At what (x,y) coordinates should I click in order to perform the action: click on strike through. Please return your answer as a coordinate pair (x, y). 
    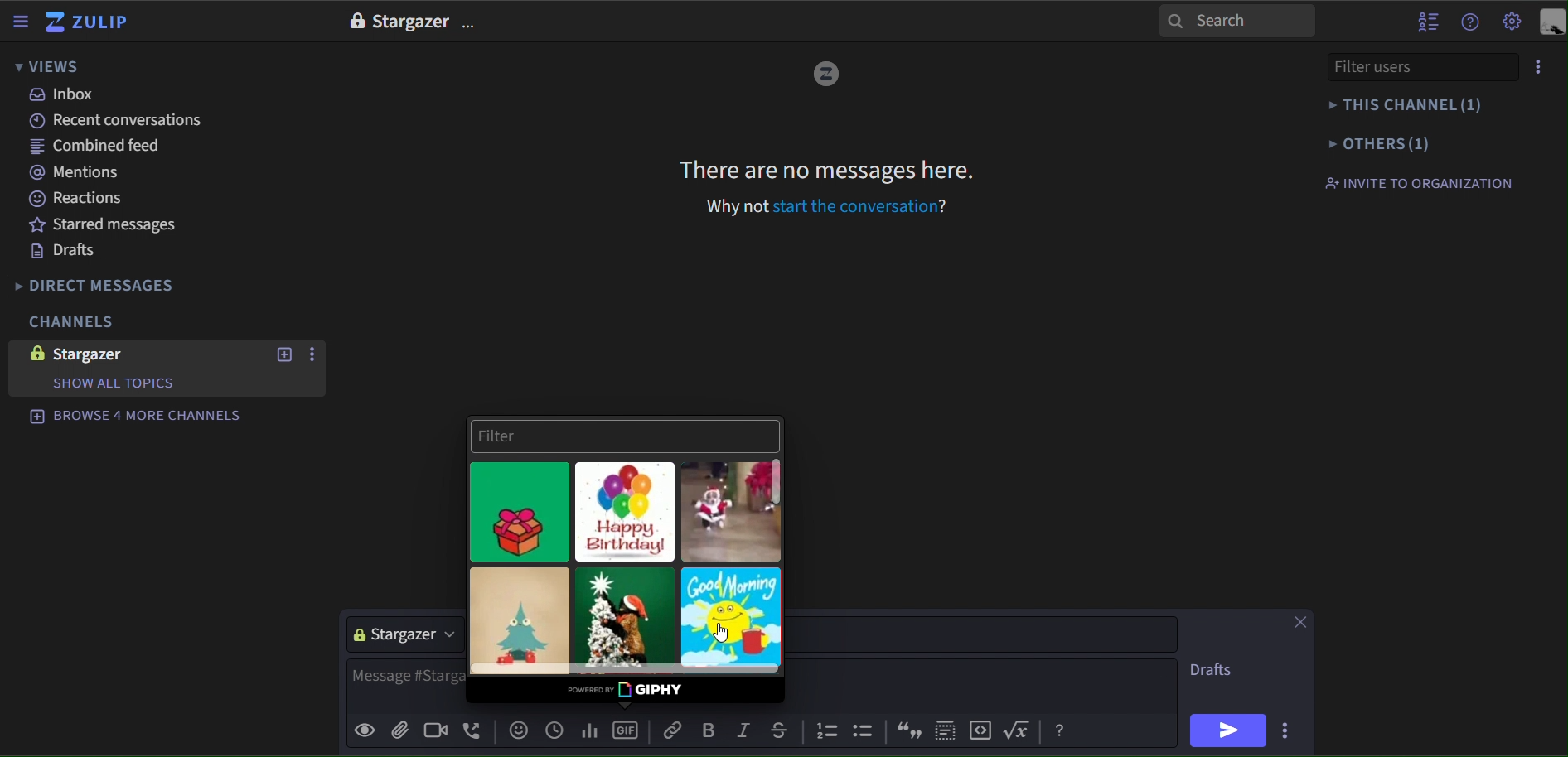
    Looking at the image, I should click on (777, 728).